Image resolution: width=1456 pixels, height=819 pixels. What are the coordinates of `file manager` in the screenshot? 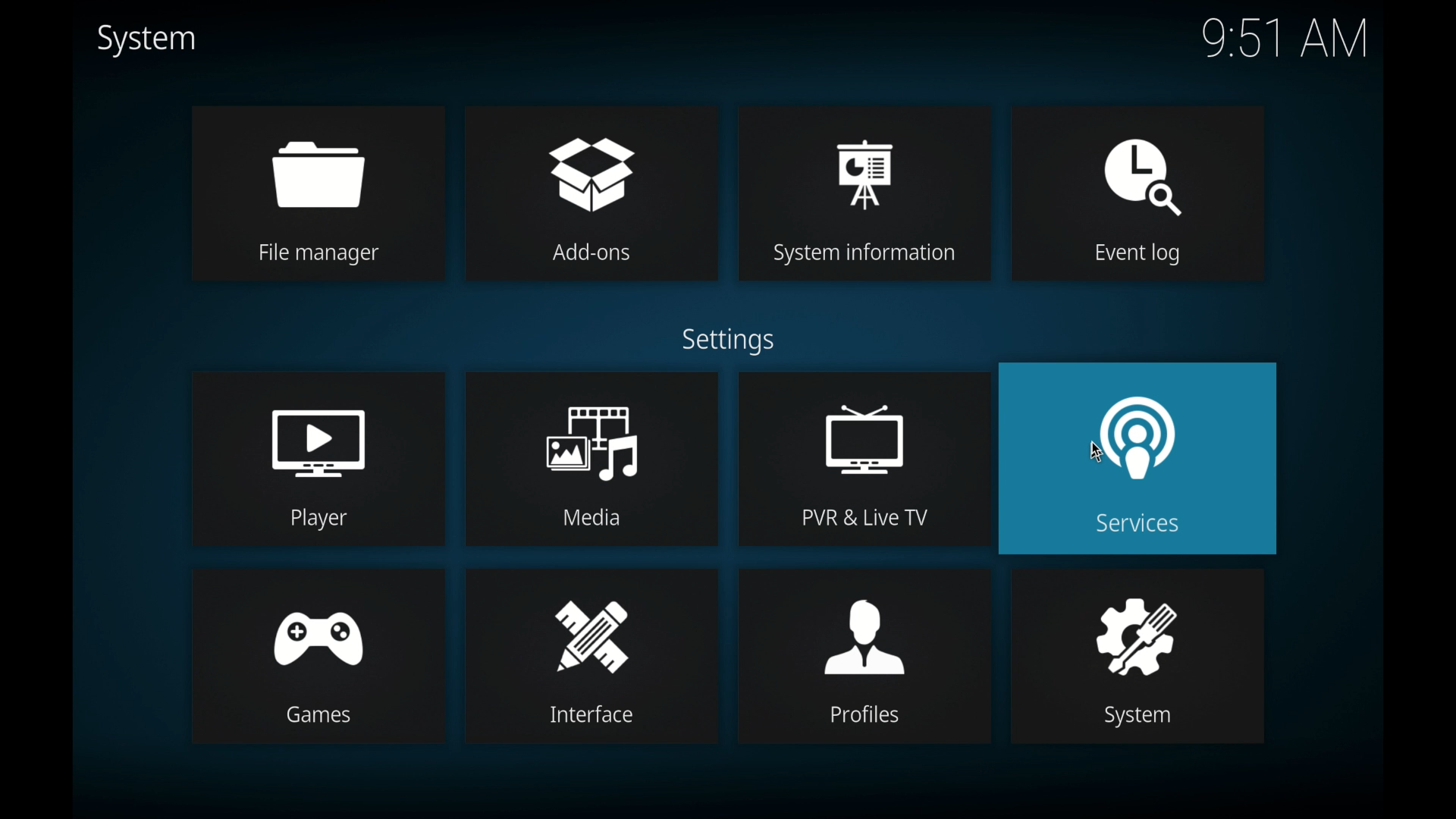 It's located at (318, 193).